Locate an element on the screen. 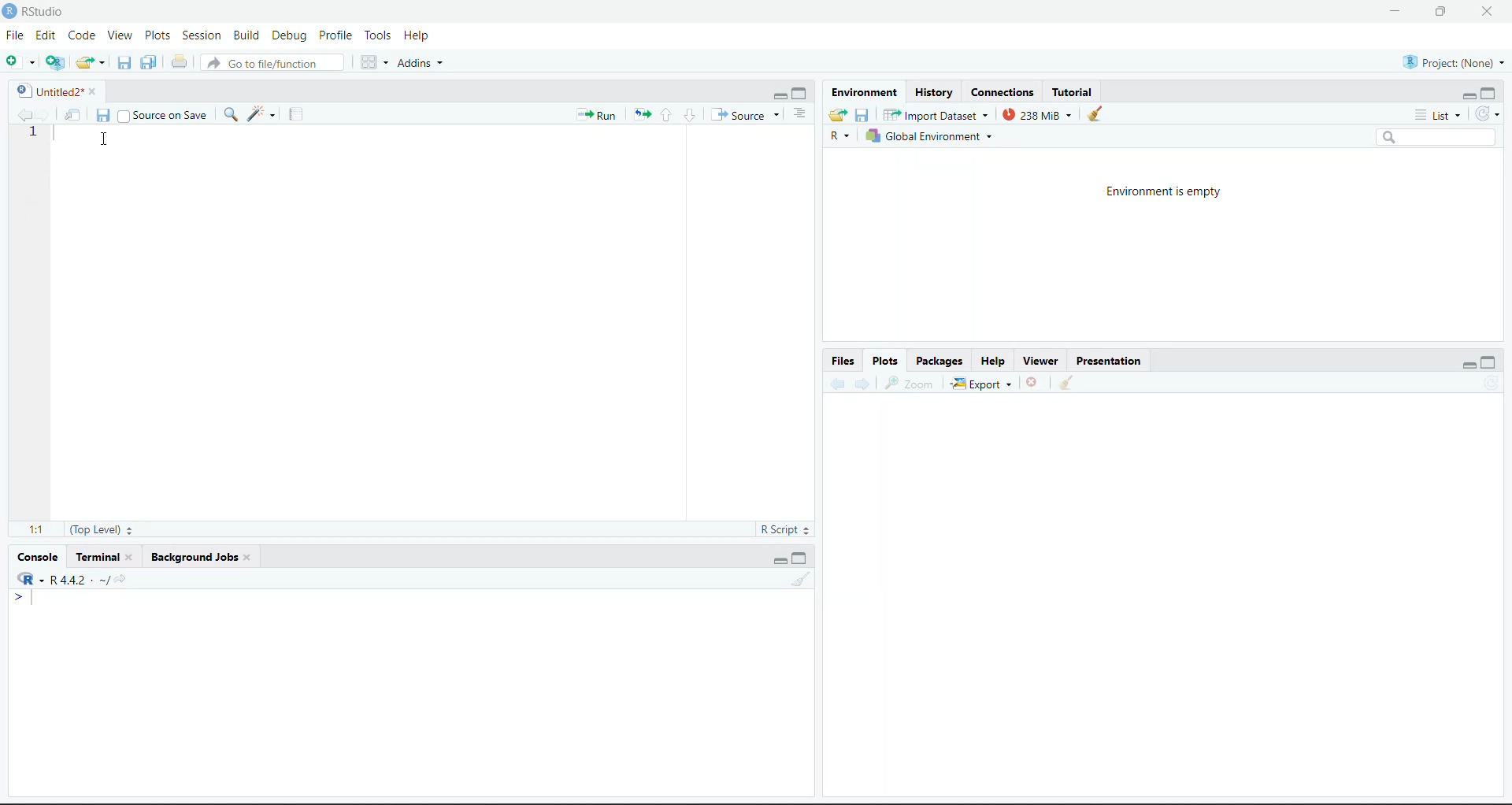 Image resolution: width=1512 pixels, height=805 pixels. Addins is located at coordinates (419, 63).